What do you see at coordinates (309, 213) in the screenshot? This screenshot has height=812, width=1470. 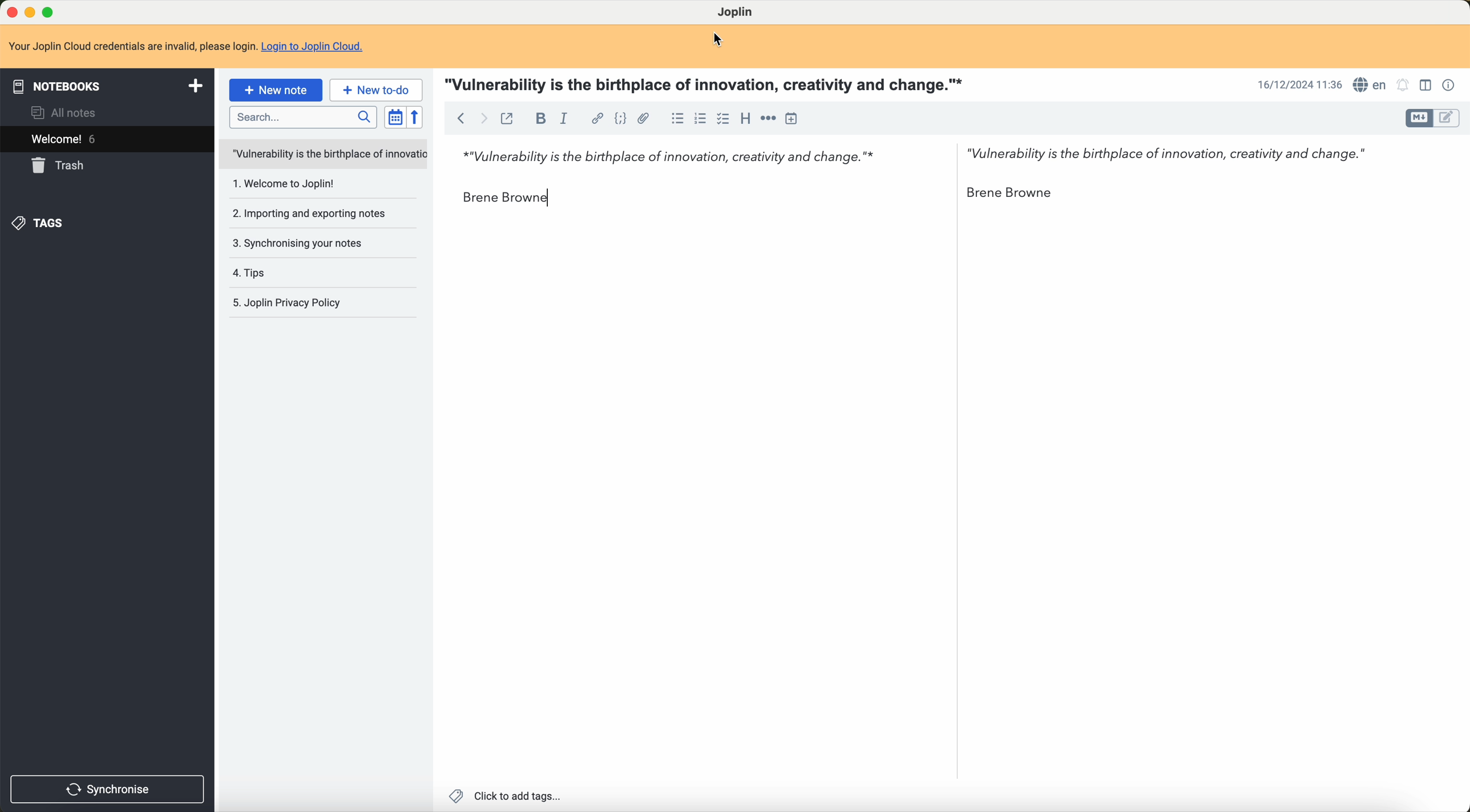 I see `2.importing and exporting notes` at bounding box center [309, 213].